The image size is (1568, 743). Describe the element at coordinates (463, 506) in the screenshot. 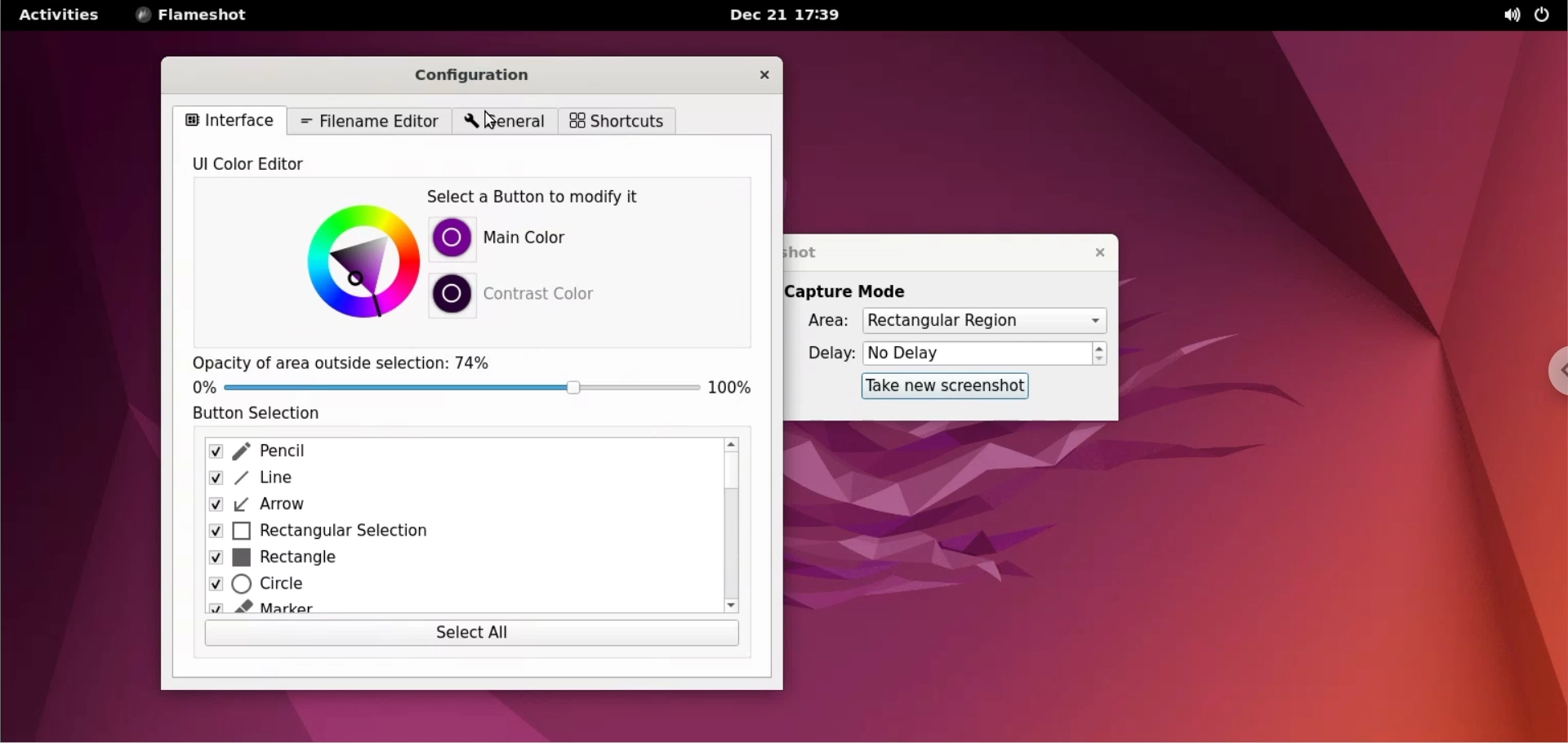

I see `arrow checkbox` at that location.